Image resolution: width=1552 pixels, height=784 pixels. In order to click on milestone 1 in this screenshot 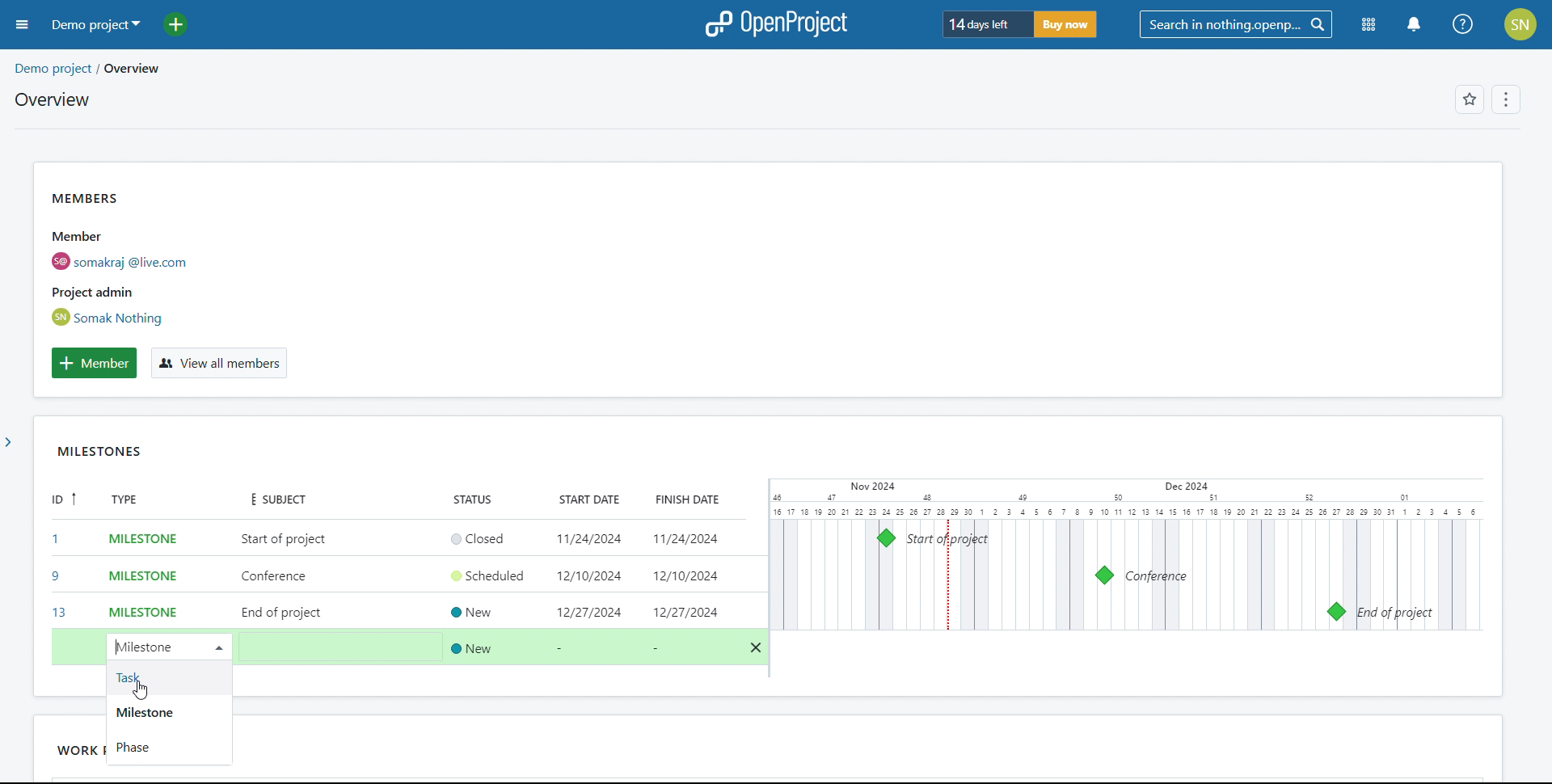, I will do `click(886, 538)`.